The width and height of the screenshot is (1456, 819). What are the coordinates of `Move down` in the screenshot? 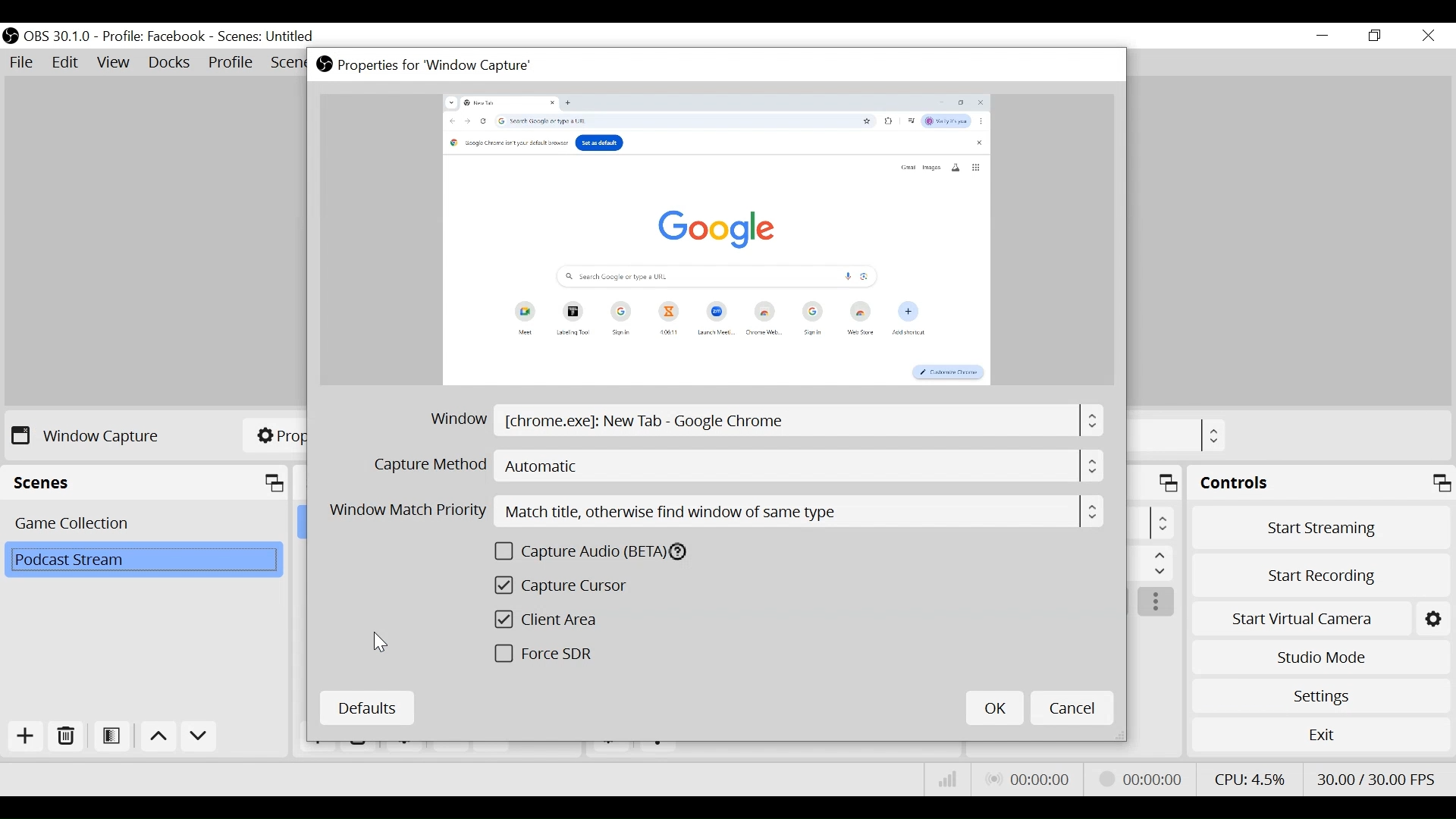 It's located at (197, 739).